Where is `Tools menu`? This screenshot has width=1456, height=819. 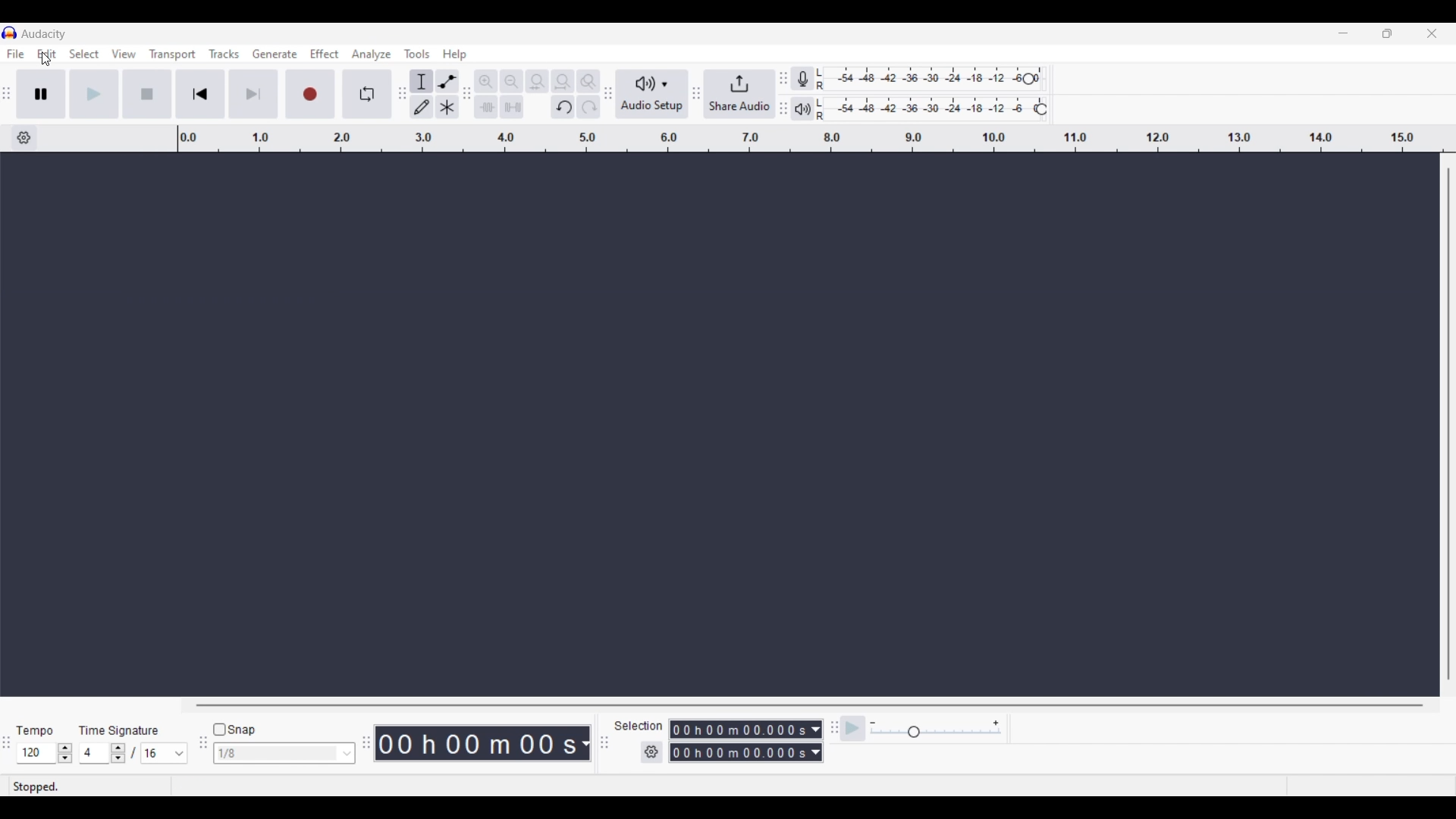
Tools menu is located at coordinates (417, 54).